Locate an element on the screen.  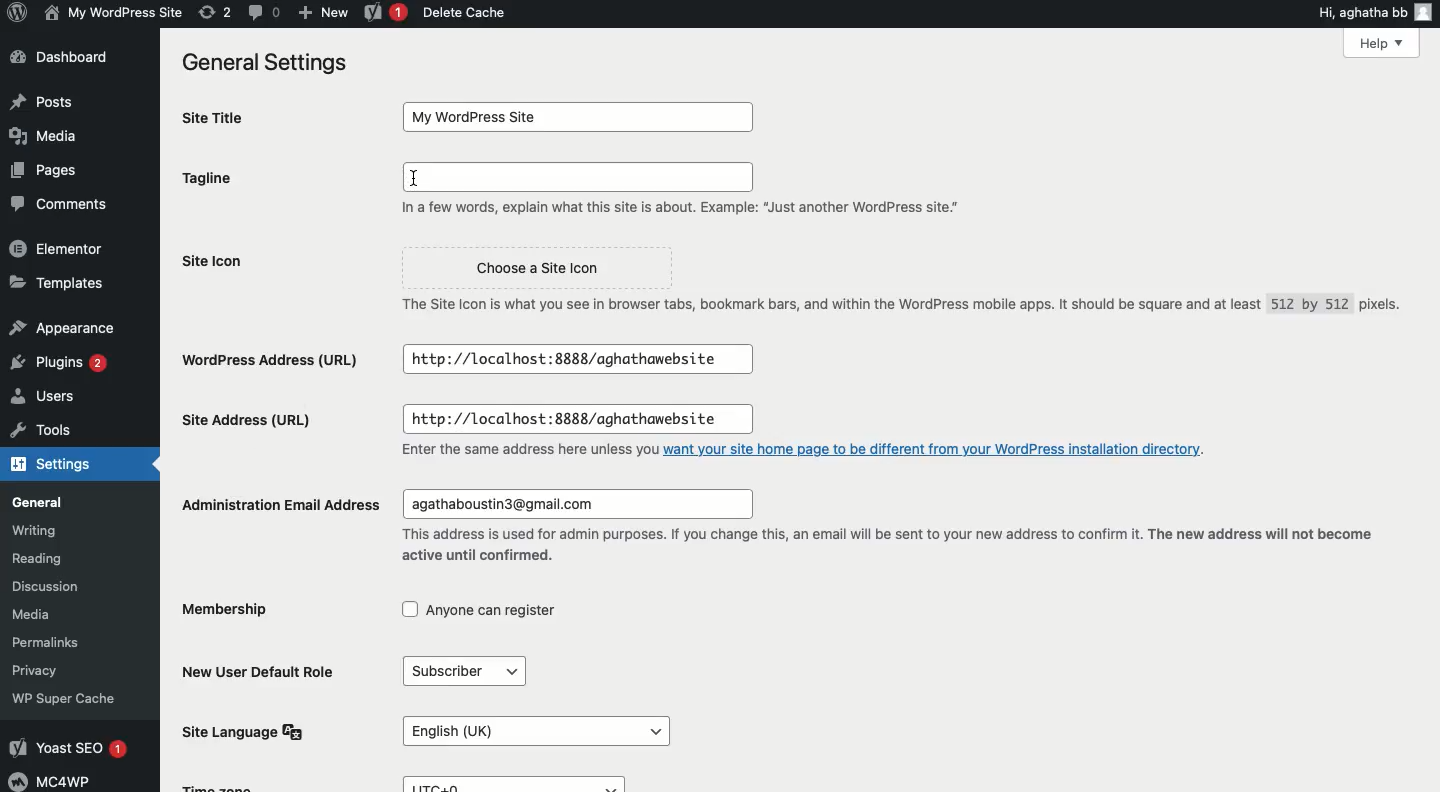
Tagline is located at coordinates (260, 182).